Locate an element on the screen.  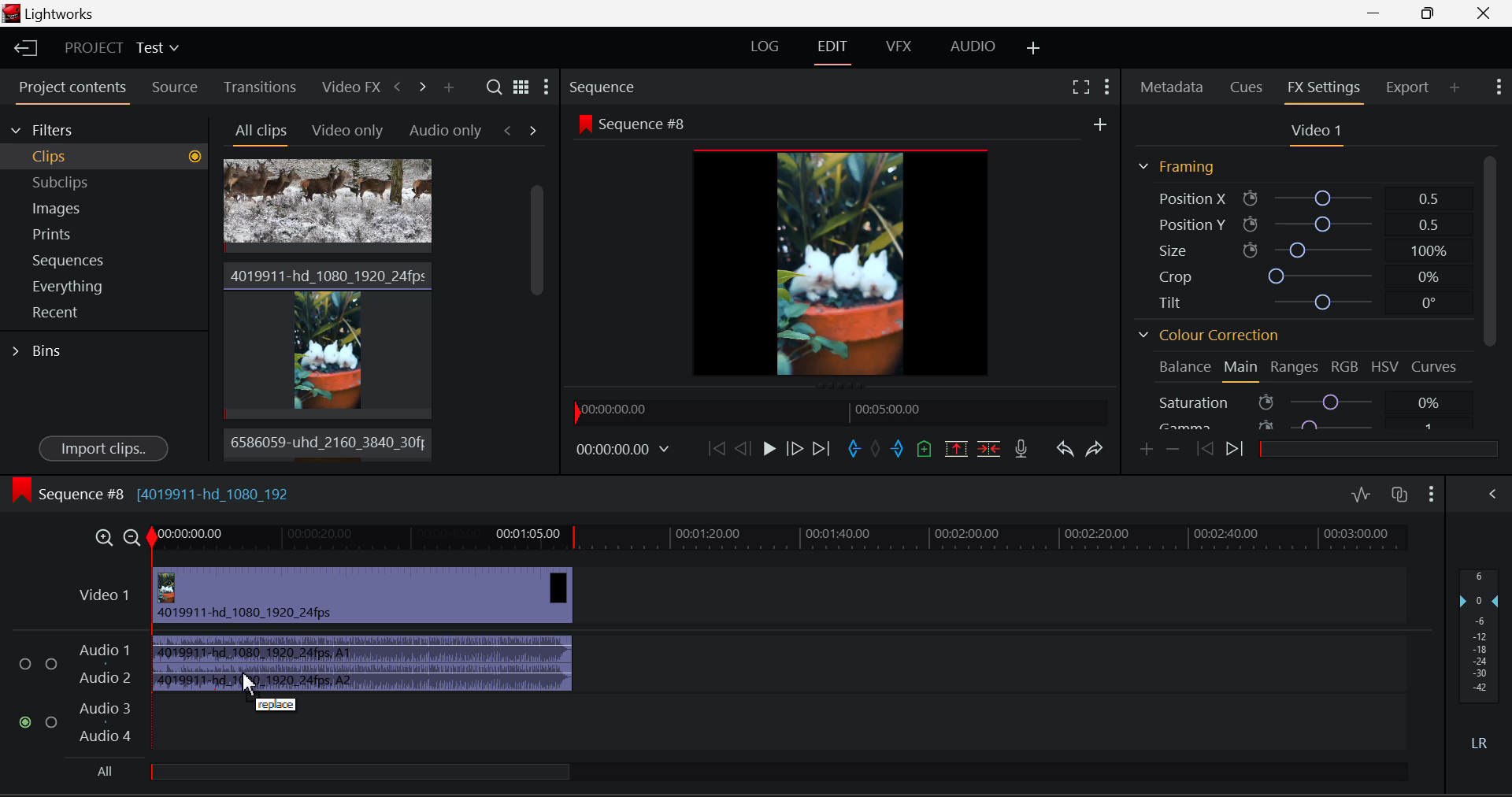
Framing is located at coordinates (1177, 166).